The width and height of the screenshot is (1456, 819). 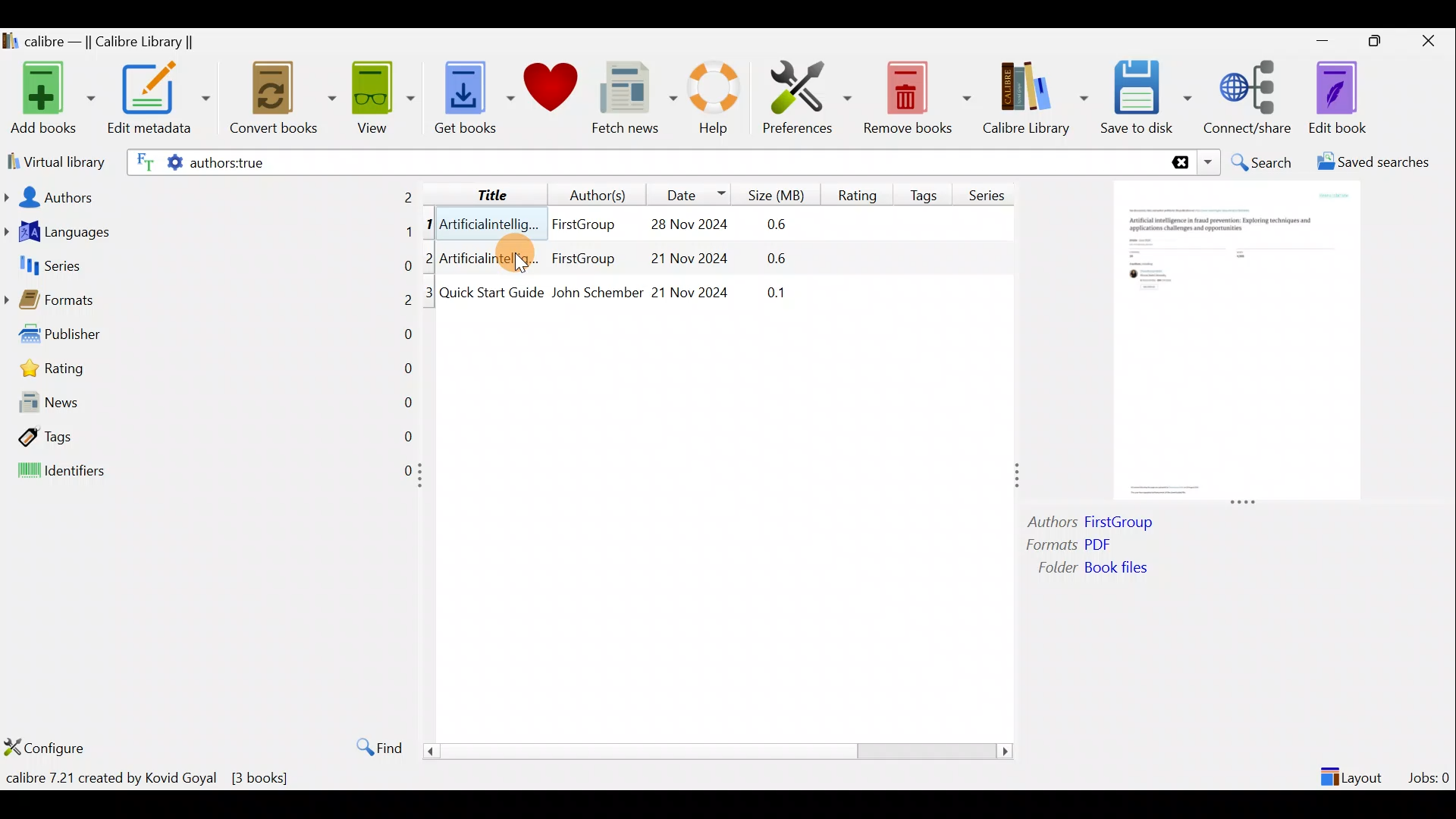 What do you see at coordinates (49, 747) in the screenshot?
I see `Configure` at bounding box center [49, 747].